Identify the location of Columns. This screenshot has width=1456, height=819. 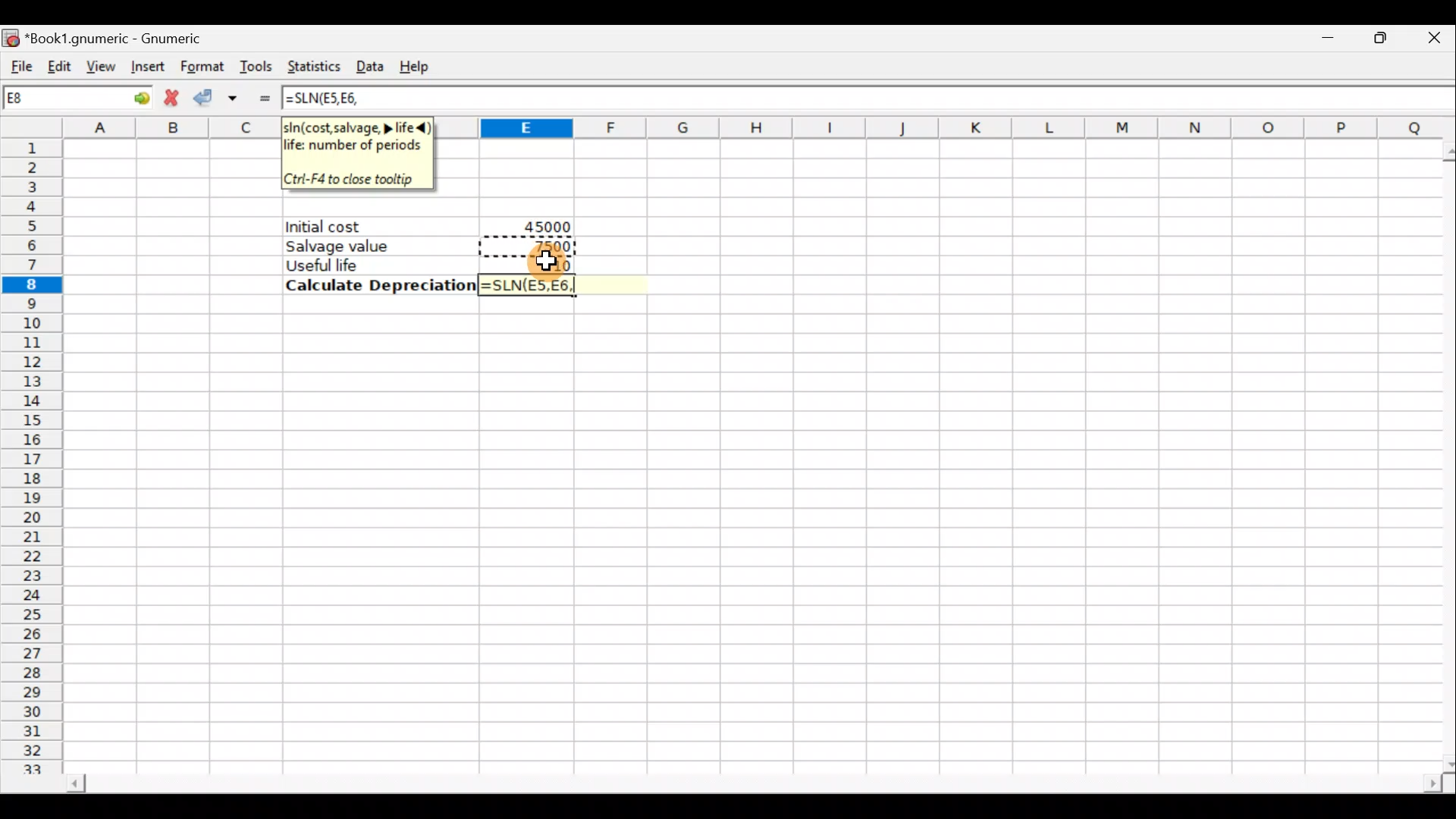
(963, 128).